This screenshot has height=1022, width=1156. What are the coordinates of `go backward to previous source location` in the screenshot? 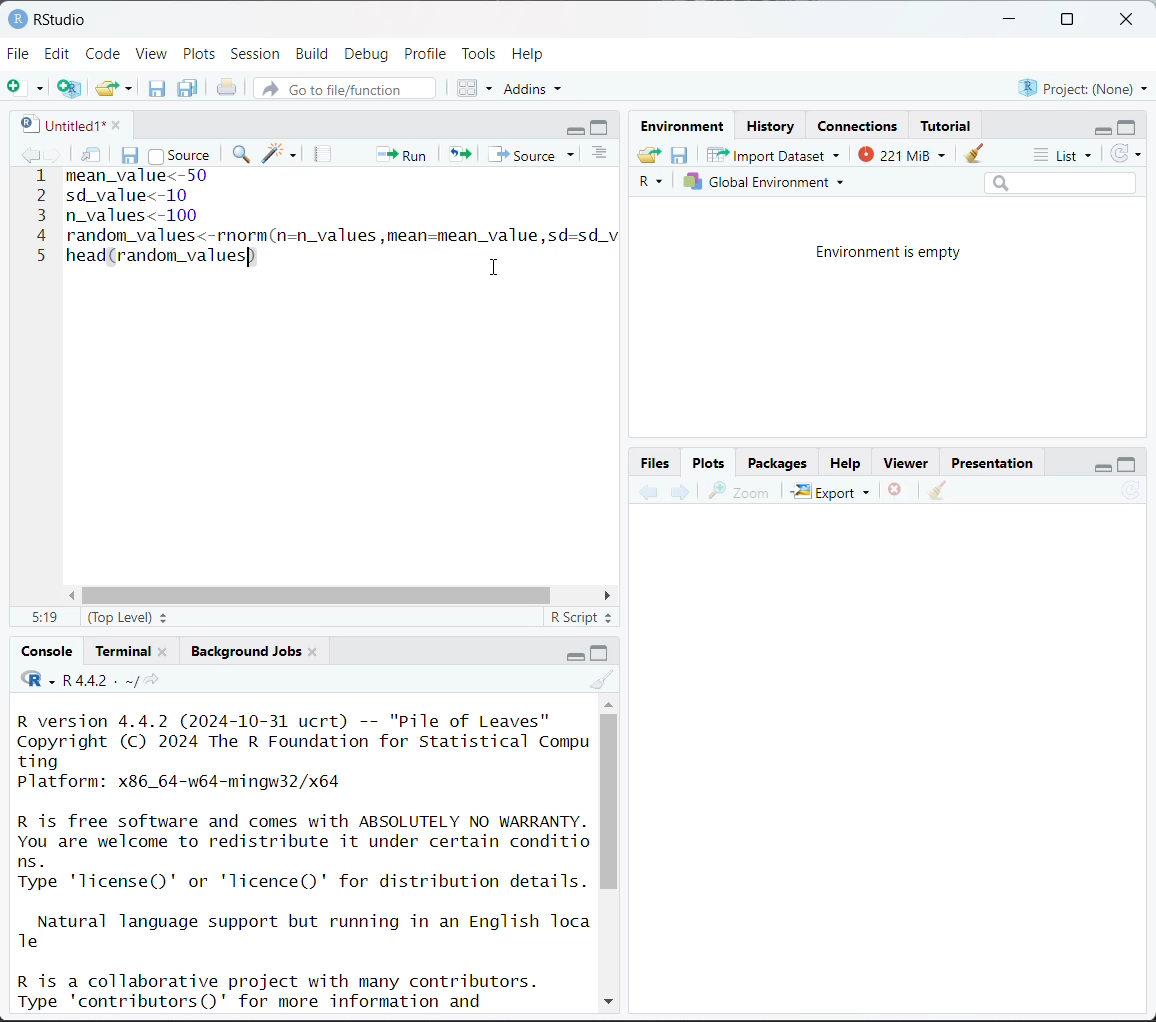 It's located at (30, 156).